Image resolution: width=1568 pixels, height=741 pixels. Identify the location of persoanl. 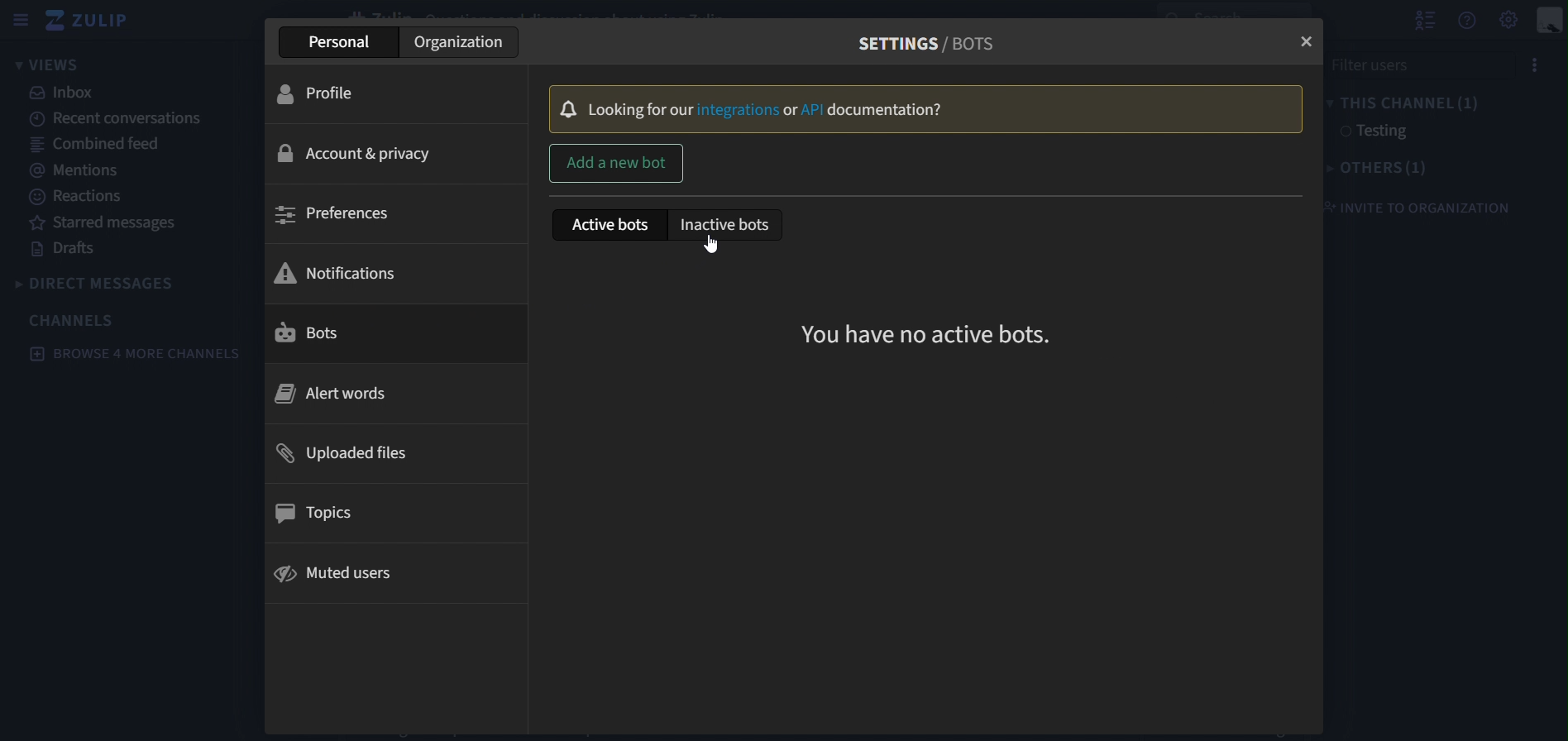
(342, 41).